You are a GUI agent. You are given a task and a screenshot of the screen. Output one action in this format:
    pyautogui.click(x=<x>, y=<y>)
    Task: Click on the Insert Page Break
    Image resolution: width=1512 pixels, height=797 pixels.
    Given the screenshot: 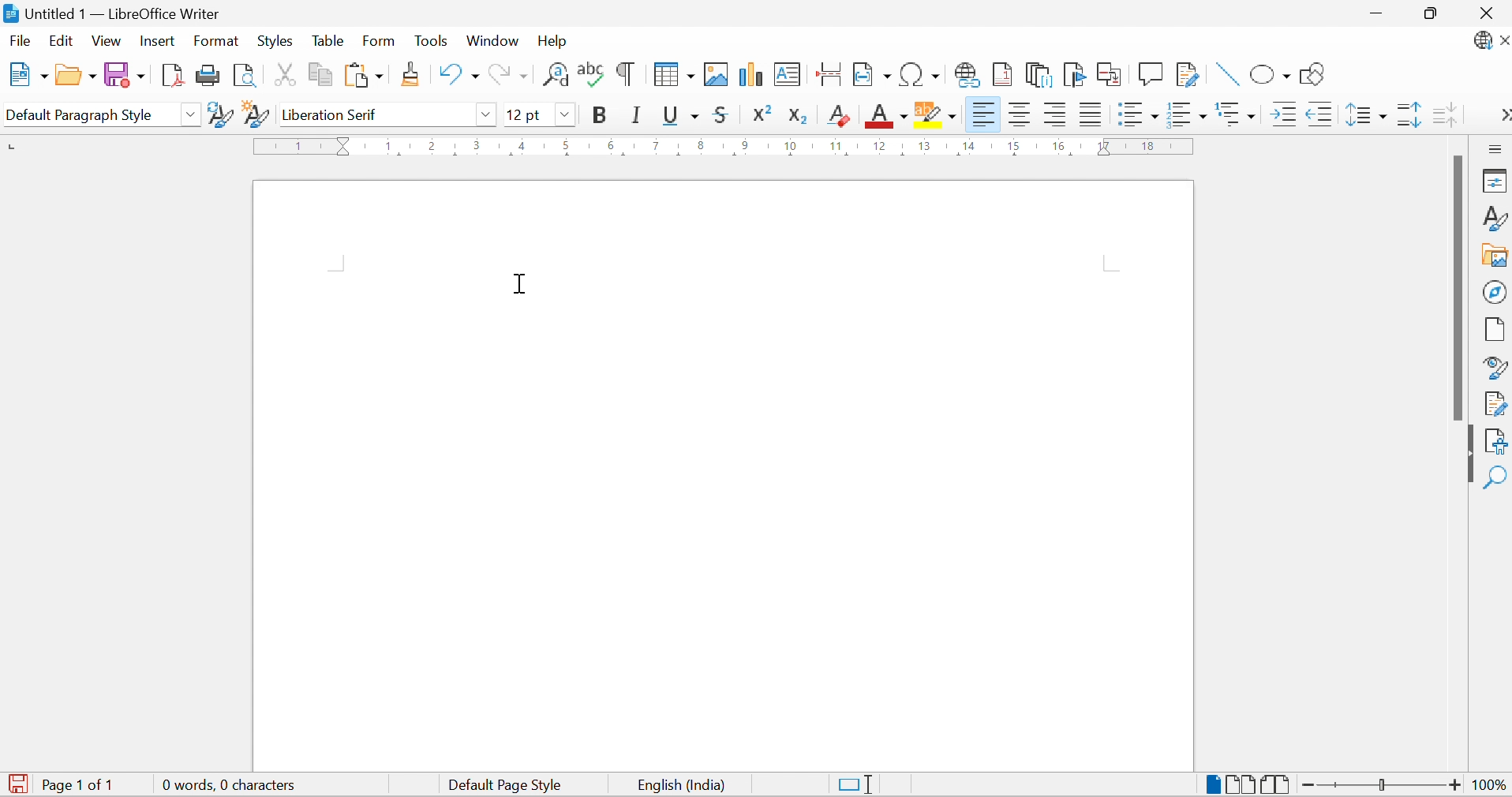 What is the action you would take?
    pyautogui.click(x=827, y=73)
    